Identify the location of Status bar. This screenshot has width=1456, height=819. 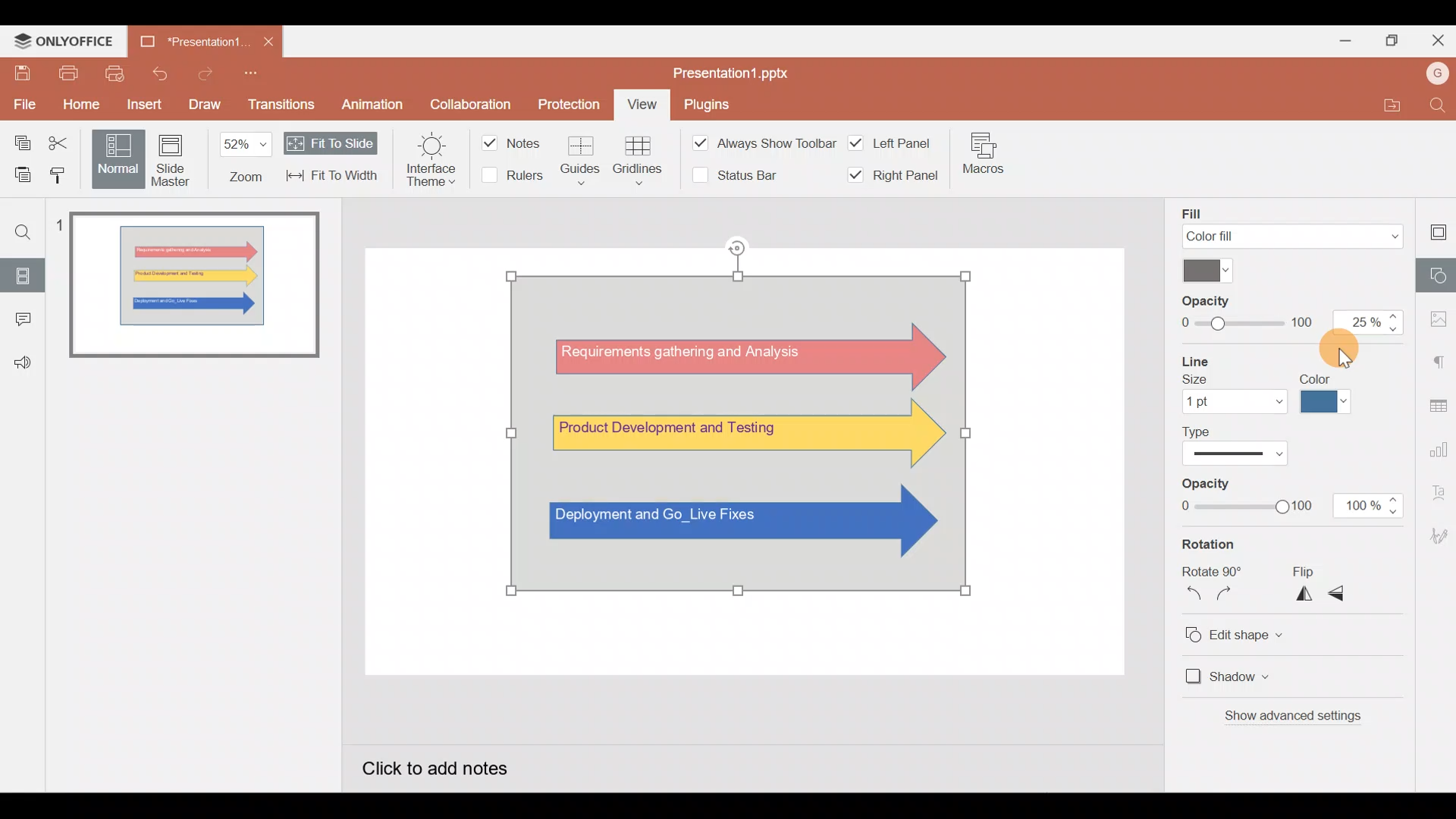
(729, 177).